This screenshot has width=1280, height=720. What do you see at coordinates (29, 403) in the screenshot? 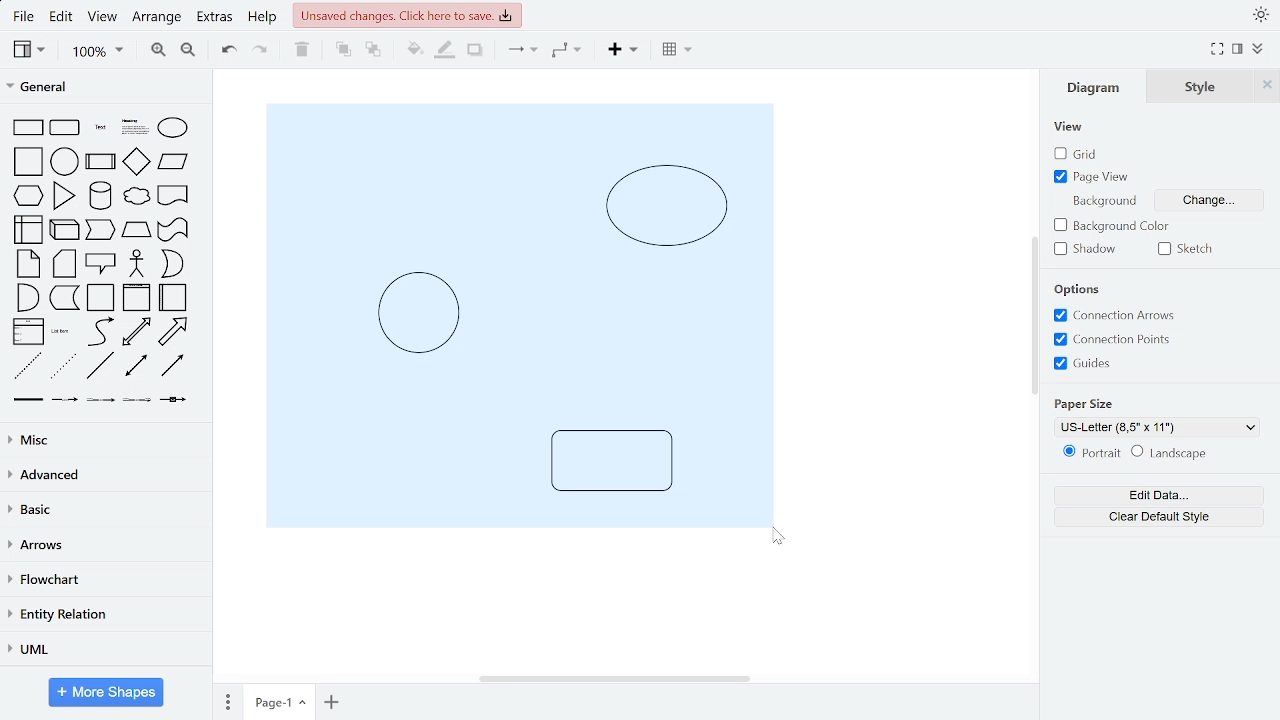
I see `link` at bounding box center [29, 403].